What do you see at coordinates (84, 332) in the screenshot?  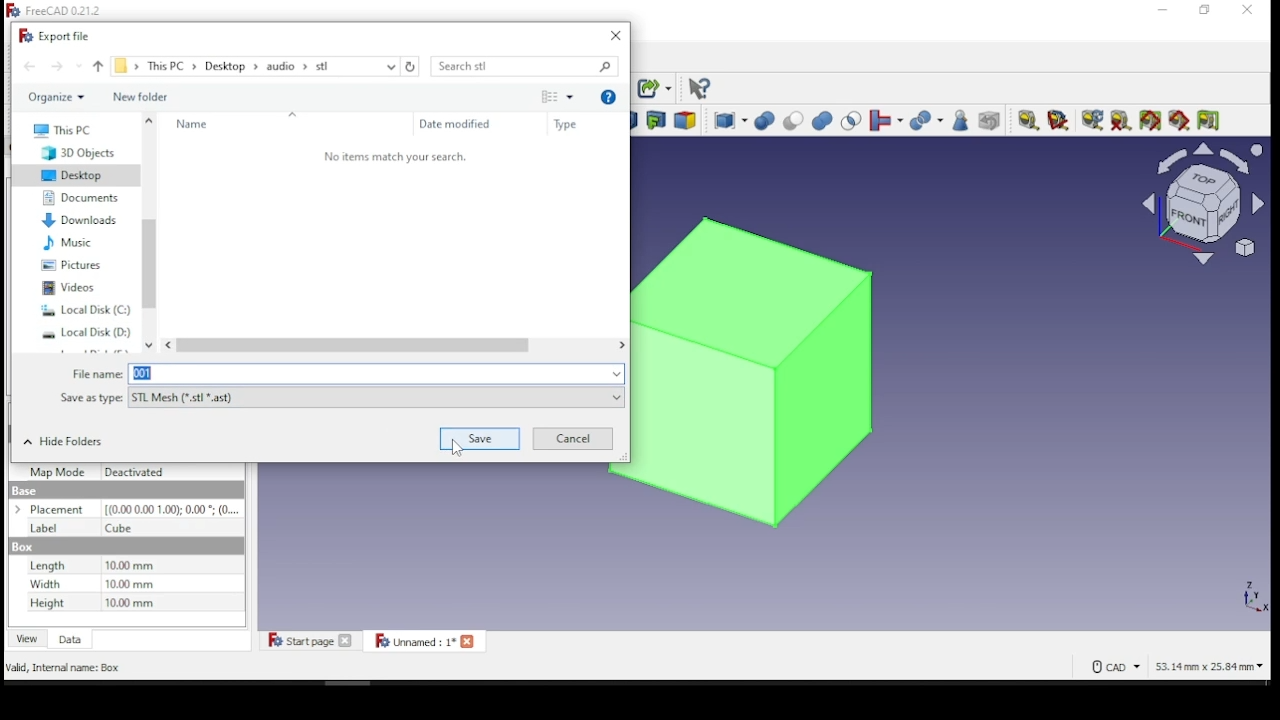 I see `system drive 2` at bounding box center [84, 332].